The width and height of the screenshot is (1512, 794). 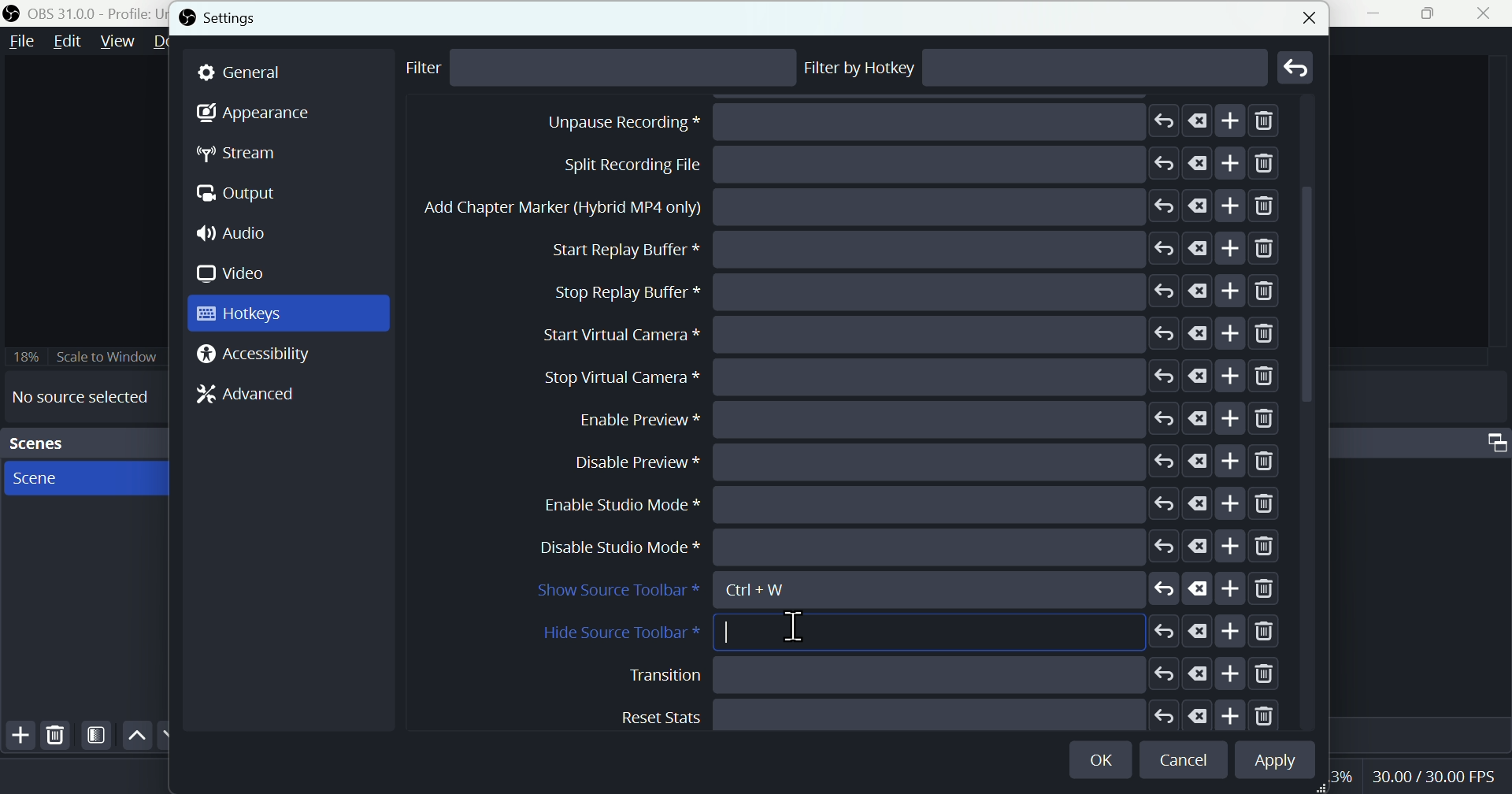 What do you see at coordinates (1297, 67) in the screenshot?
I see `Go back` at bounding box center [1297, 67].